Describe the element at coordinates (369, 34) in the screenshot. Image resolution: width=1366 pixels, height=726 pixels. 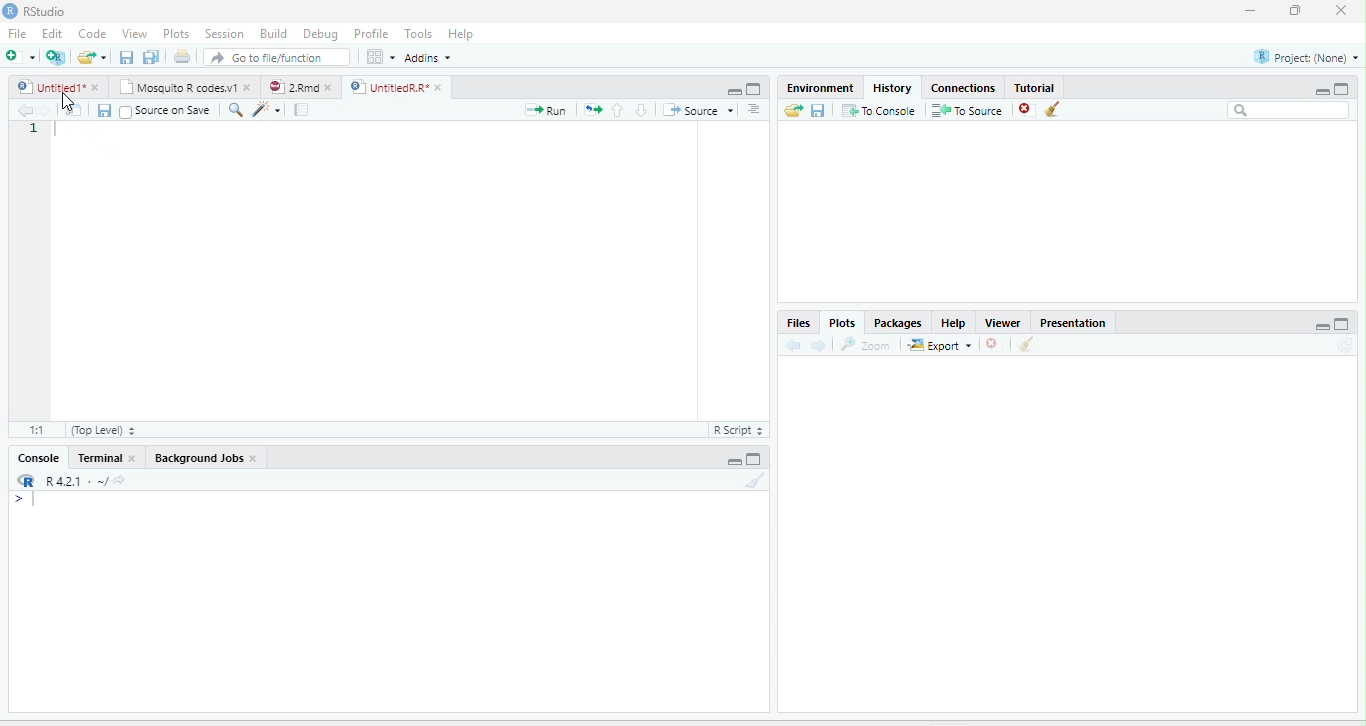
I see `Profile` at that location.